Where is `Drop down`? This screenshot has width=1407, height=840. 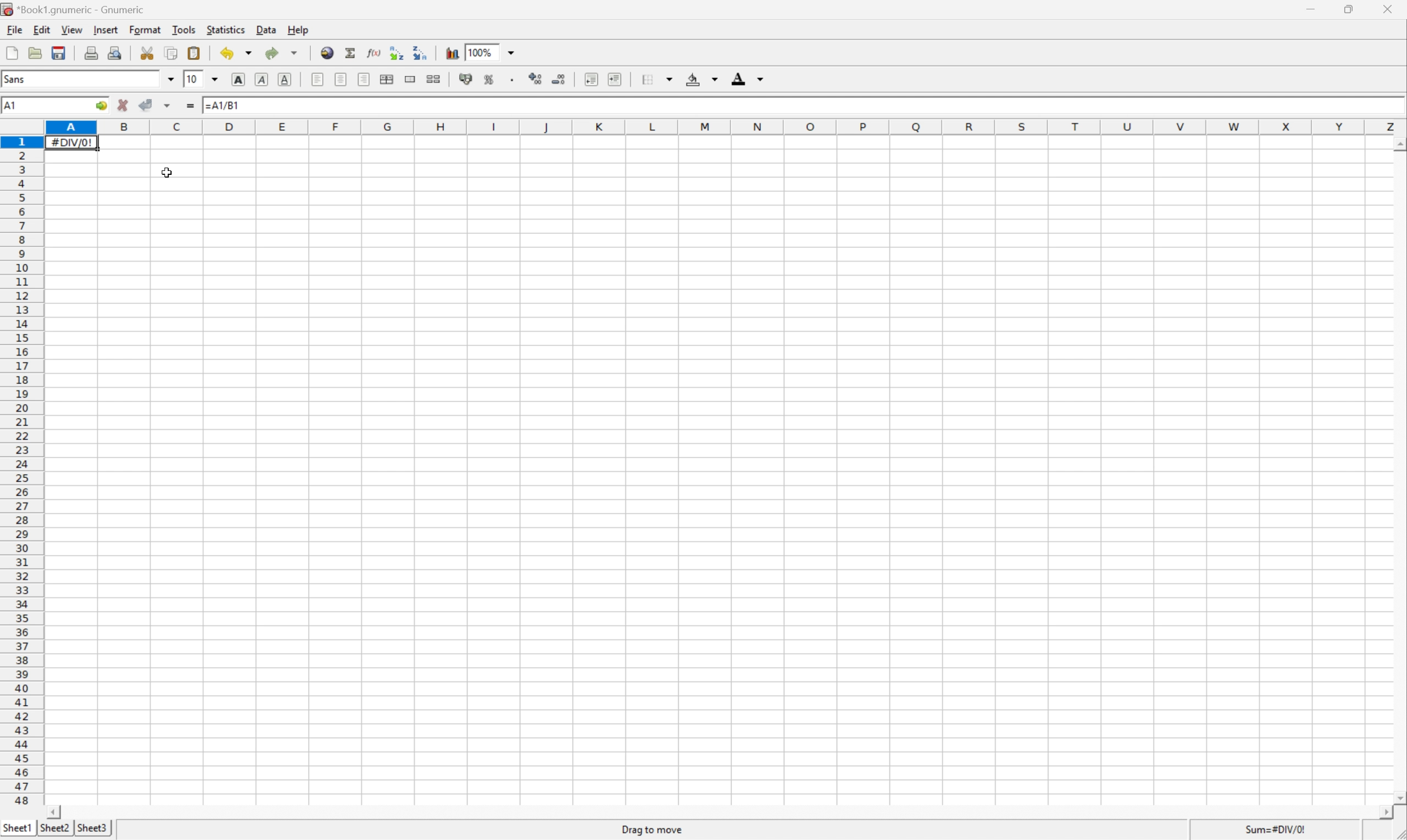
Drop down is located at coordinates (216, 79).